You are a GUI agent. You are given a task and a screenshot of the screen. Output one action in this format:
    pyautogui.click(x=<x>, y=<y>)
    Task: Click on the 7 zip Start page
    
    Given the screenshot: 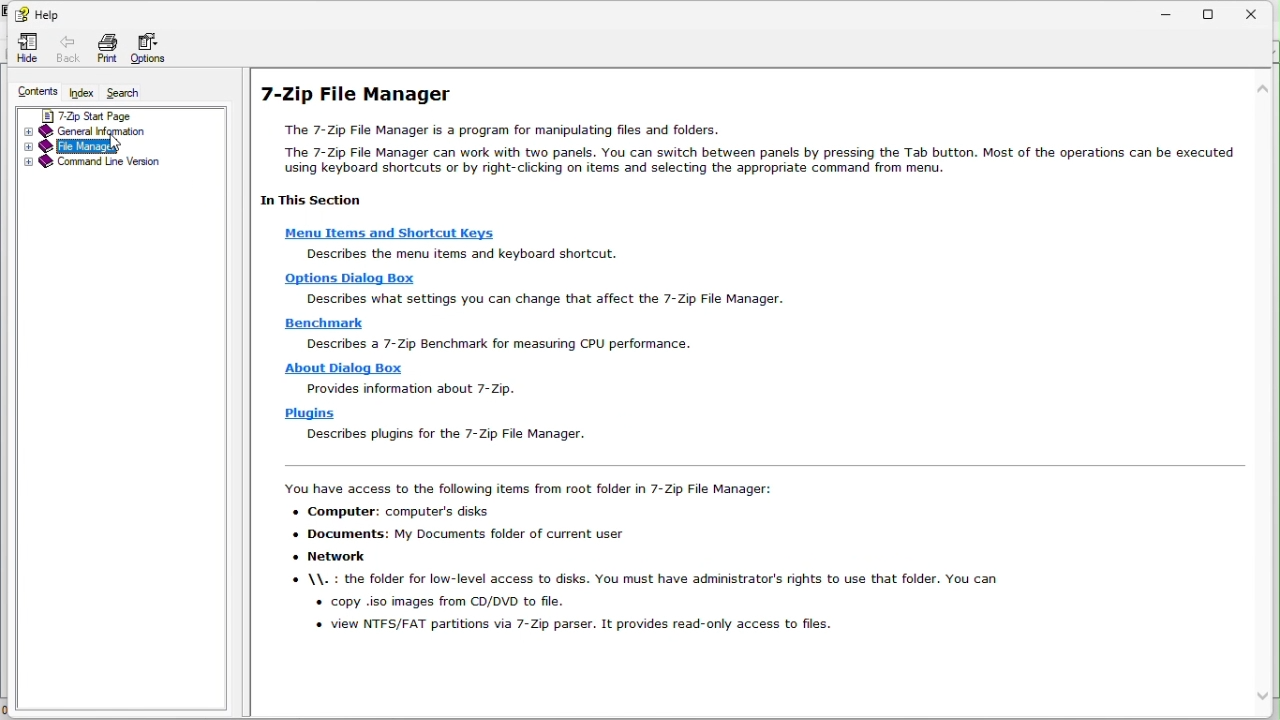 What is the action you would take?
    pyautogui.click(x=100, y=115)
    